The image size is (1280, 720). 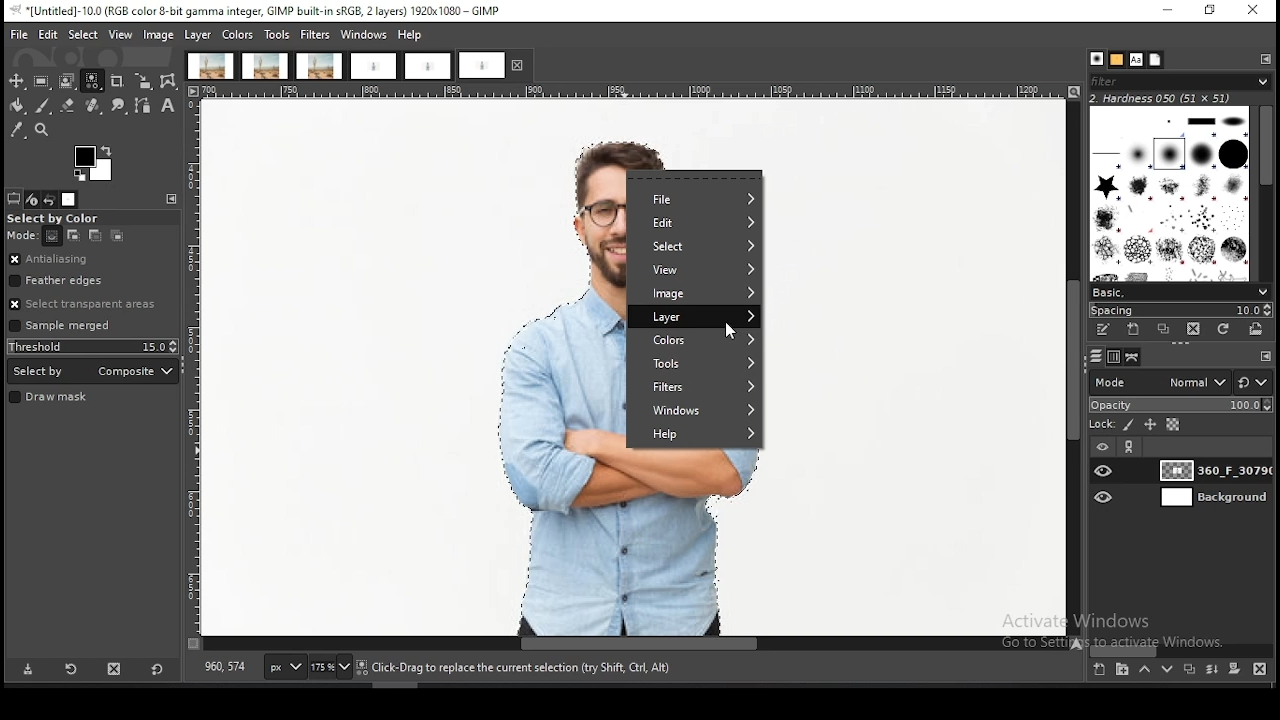 What do you see at coordinates (332, 668) in the screenshot?
I see `zoom status` at bounding box center [332, 668].